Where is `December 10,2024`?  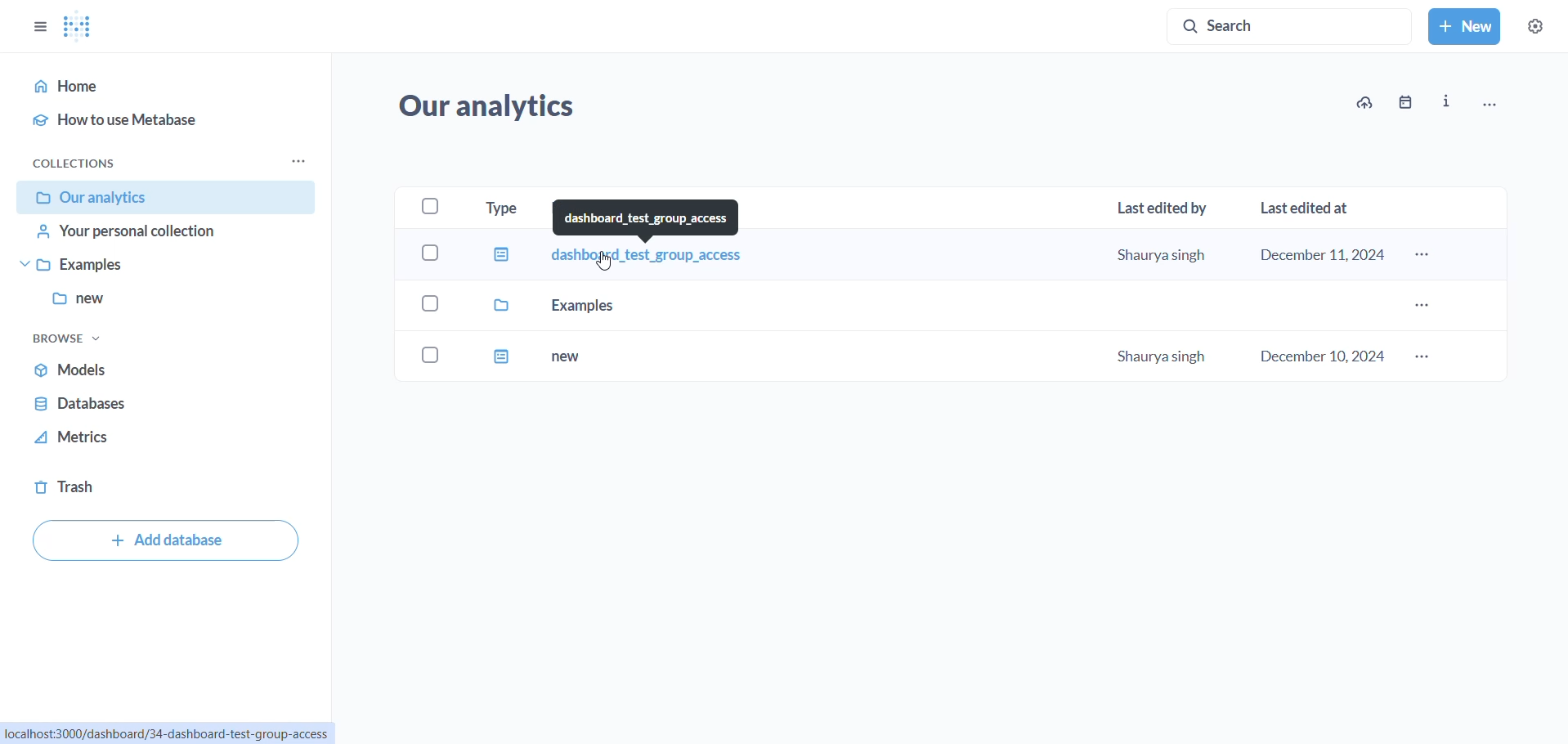 December 10,2024 is located at coordinates (1322, 357).